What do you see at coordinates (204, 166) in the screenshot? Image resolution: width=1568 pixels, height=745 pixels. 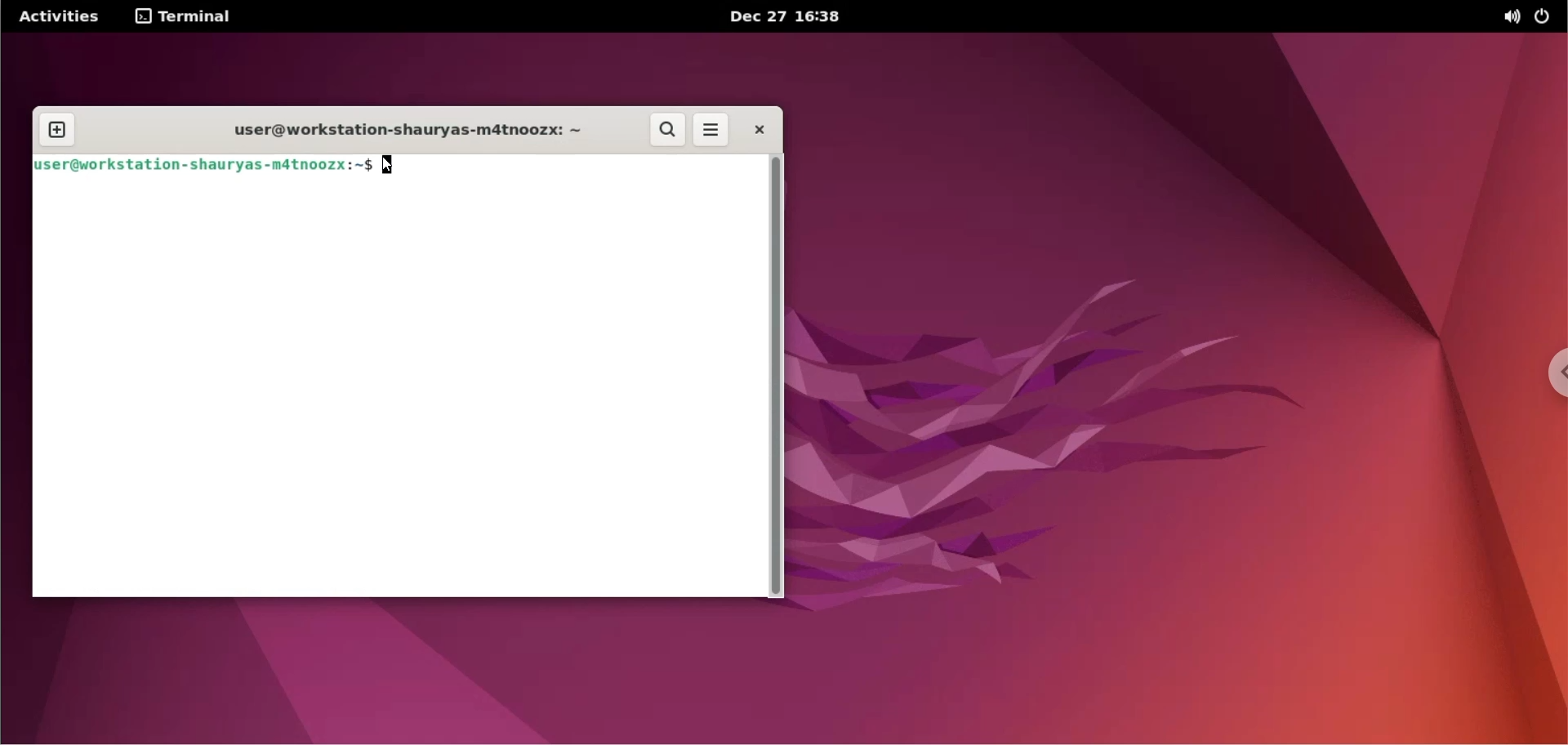 I see `user@workstation-shauryas-m4tnoozx: ~$` at bounding box center [204, 166].